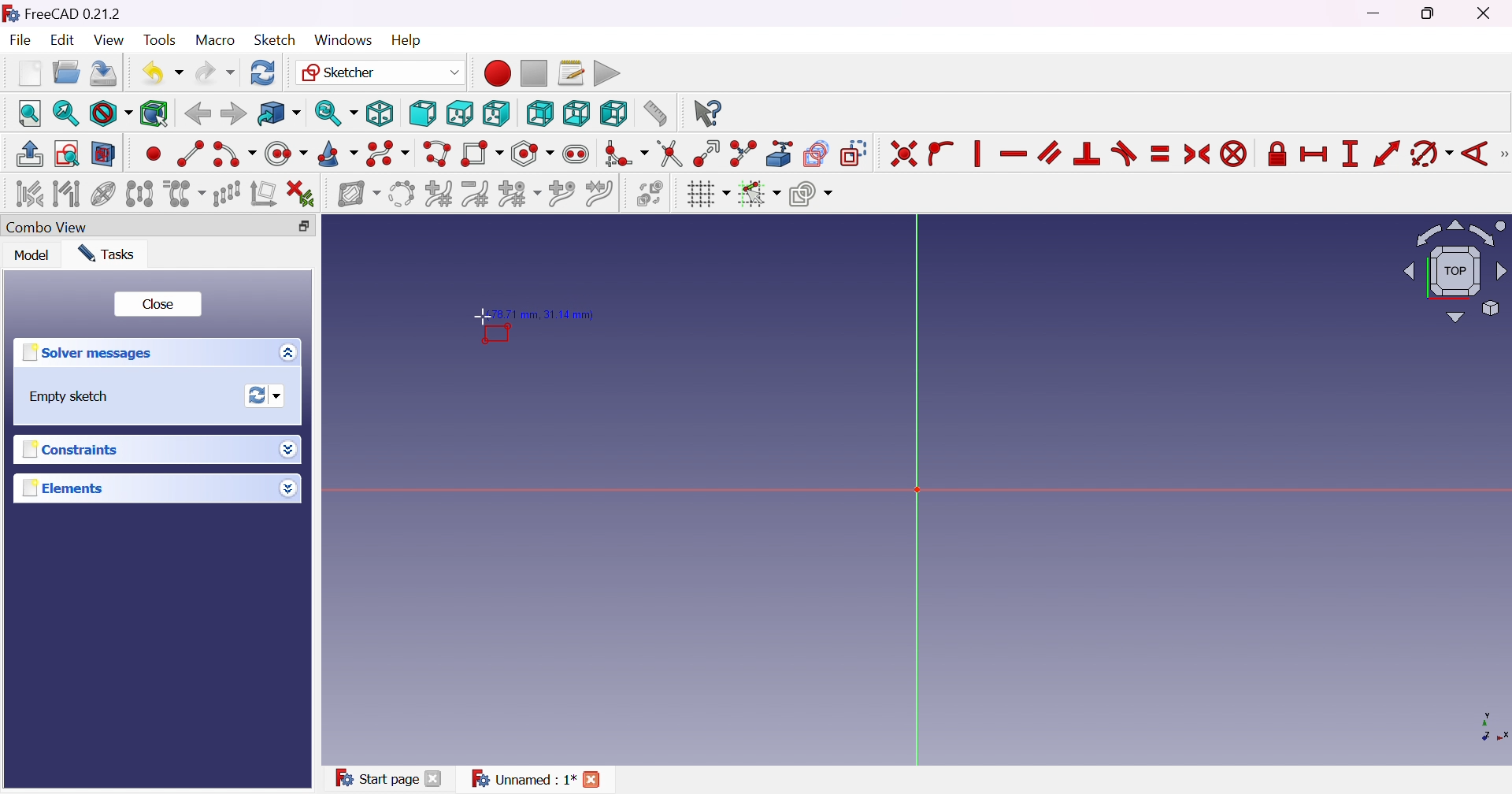 The image size is (1512, 794). Describe the element at coordinates (598, 194) in the screenshot. I see `Join curves` at that location.